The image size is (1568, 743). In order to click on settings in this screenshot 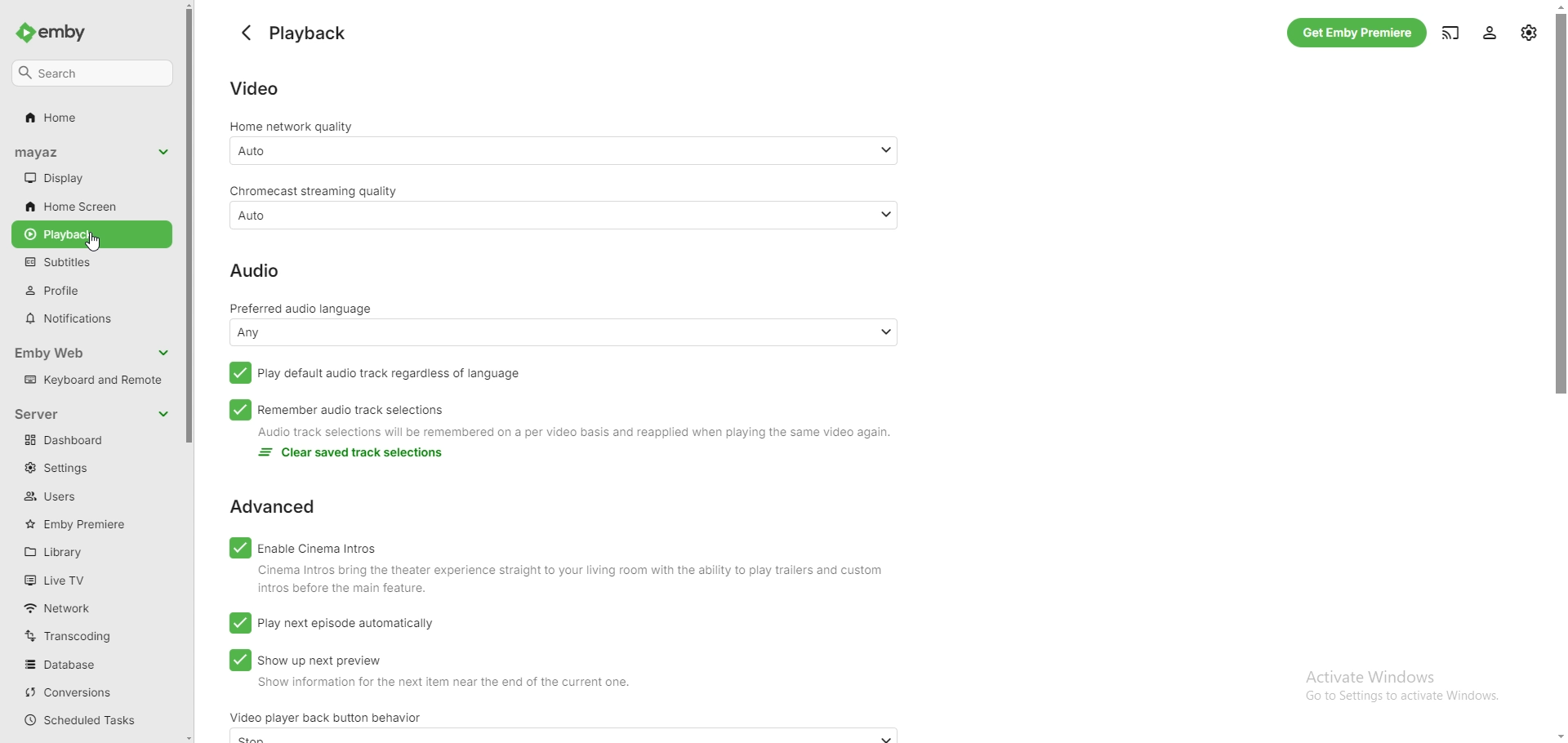, I will do `click(1528, 33)`.